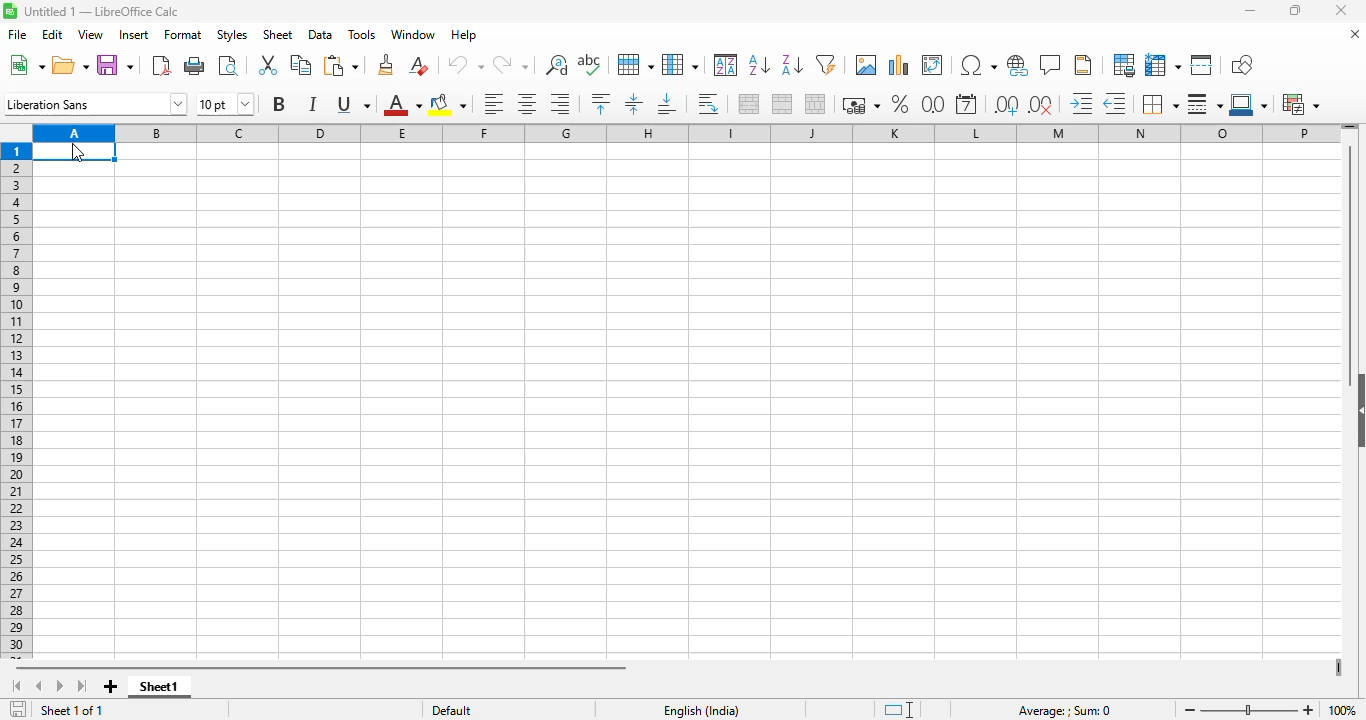 The image size is (1366, 720). Describe the element at coordinates (1250, 105) in the screenshot. I see `border color` at that location.